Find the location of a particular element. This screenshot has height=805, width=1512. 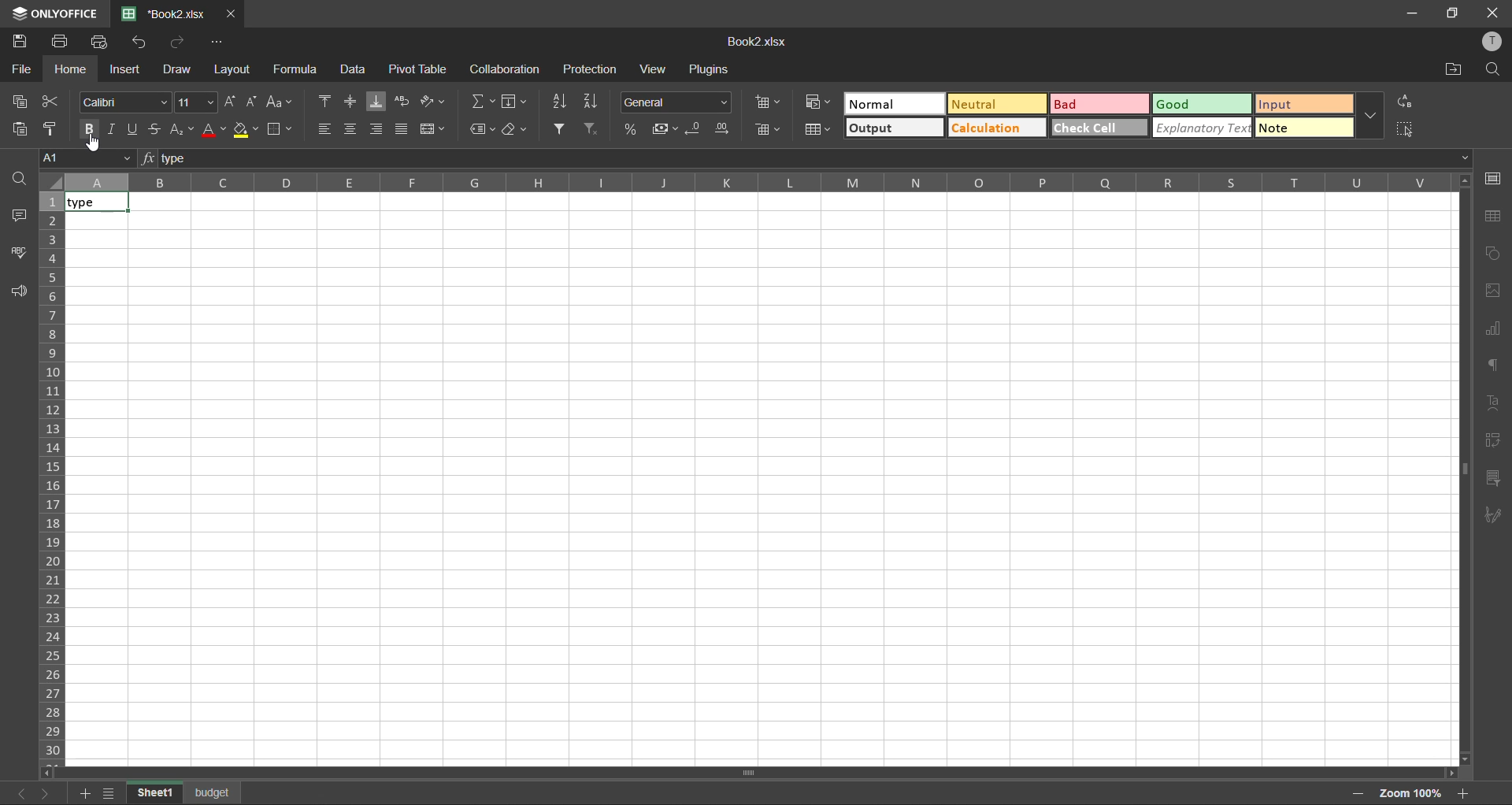

Book2.xlsx is located at coordinates (752, 43).